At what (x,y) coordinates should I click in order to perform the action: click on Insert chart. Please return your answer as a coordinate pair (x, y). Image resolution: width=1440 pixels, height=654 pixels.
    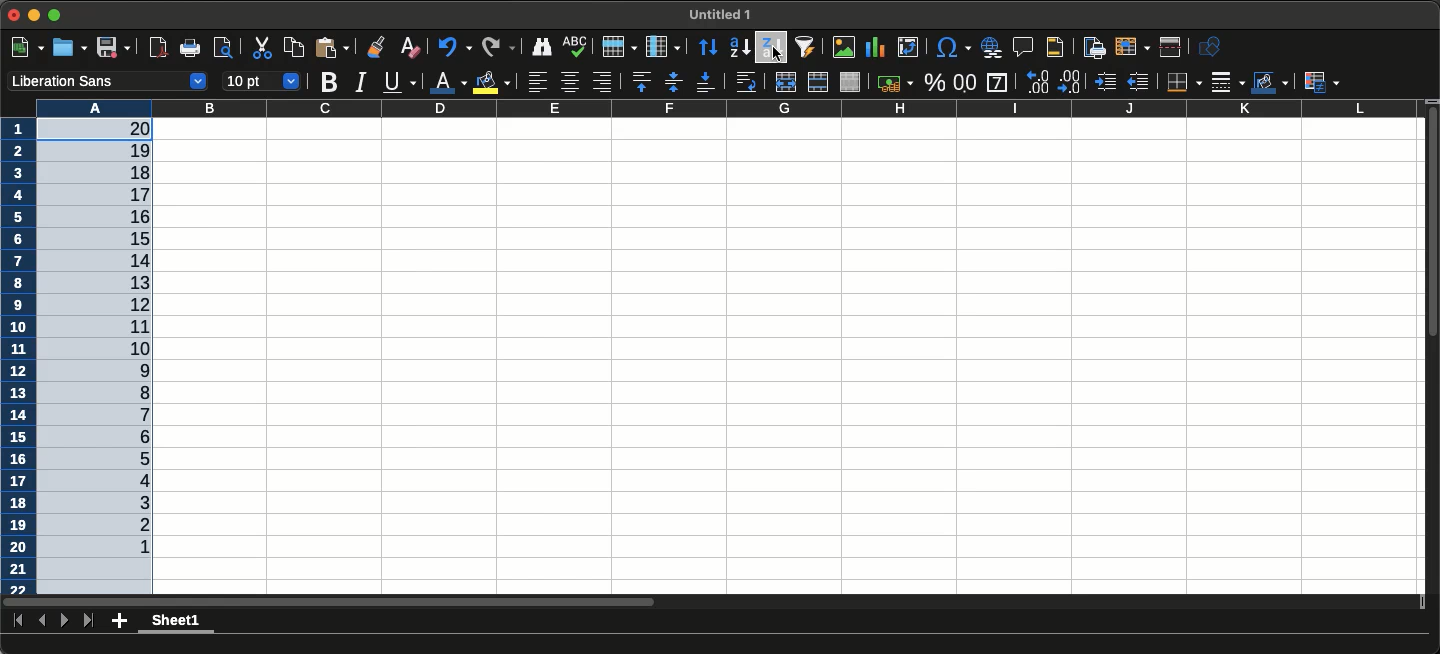
    Looking at the image, I should click on (876, 49).